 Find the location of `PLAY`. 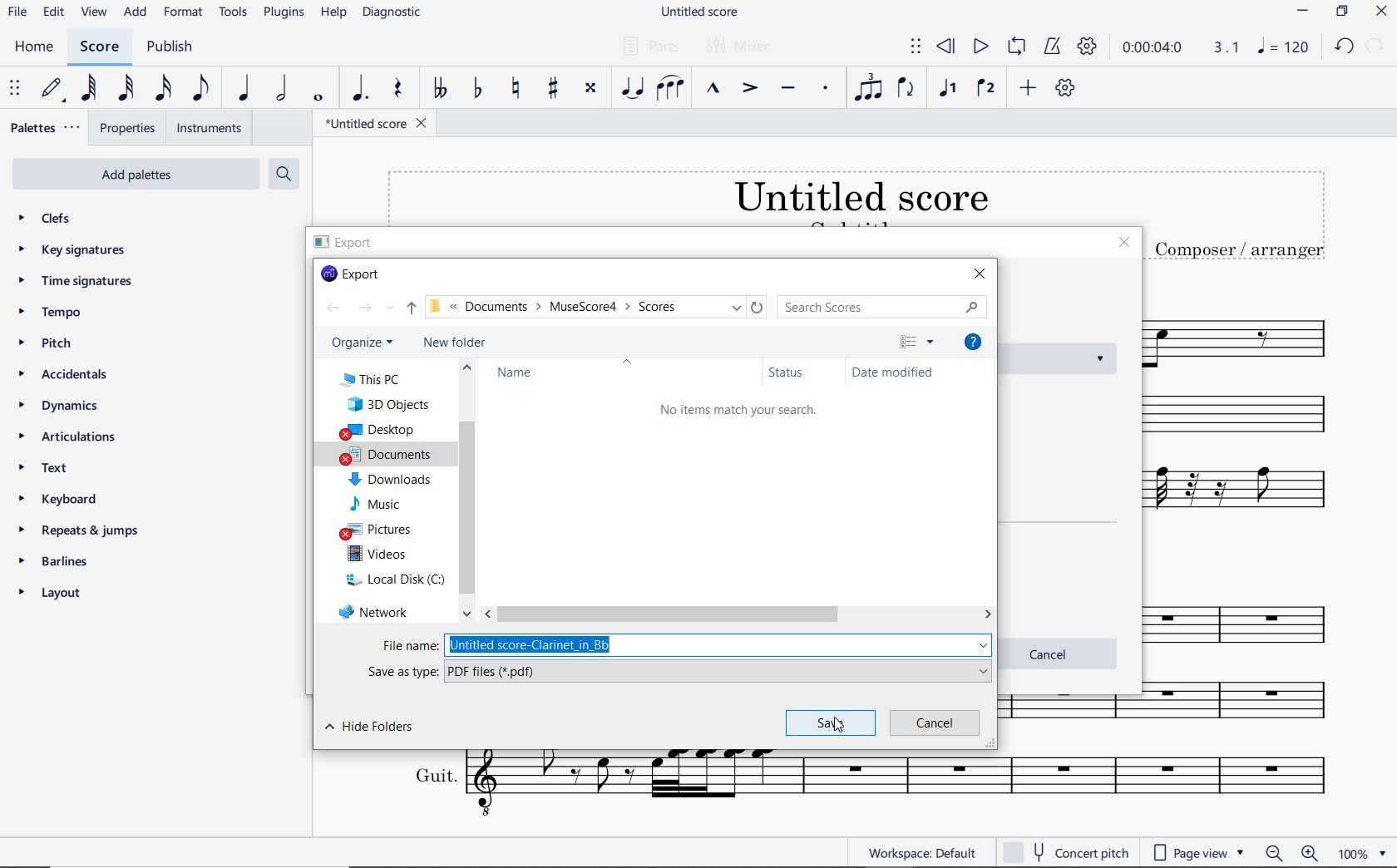

PLAY is located at coordinates (979, 46).